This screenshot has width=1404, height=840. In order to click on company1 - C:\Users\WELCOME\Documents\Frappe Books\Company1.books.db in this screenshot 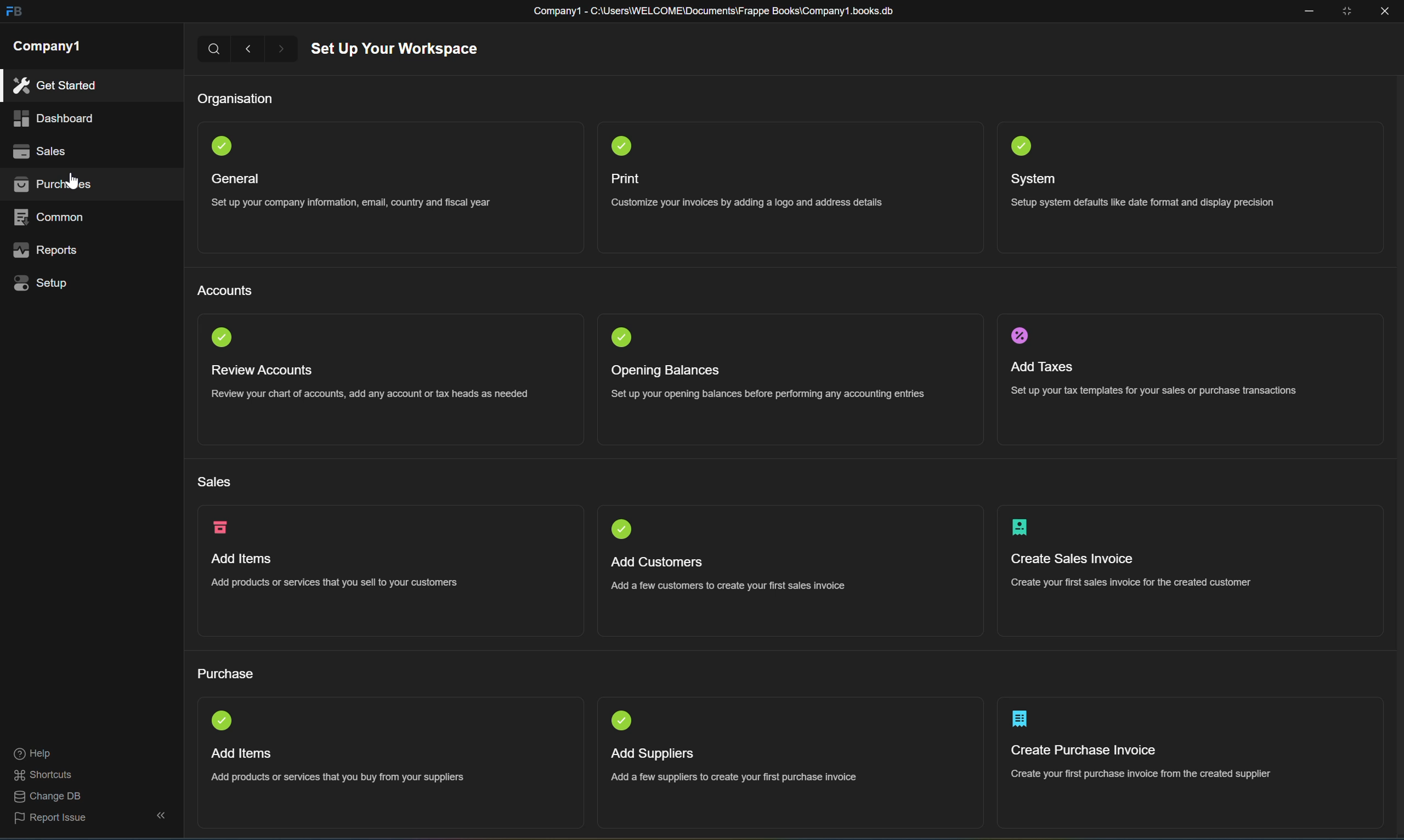, I will do `click(711, 12)`.